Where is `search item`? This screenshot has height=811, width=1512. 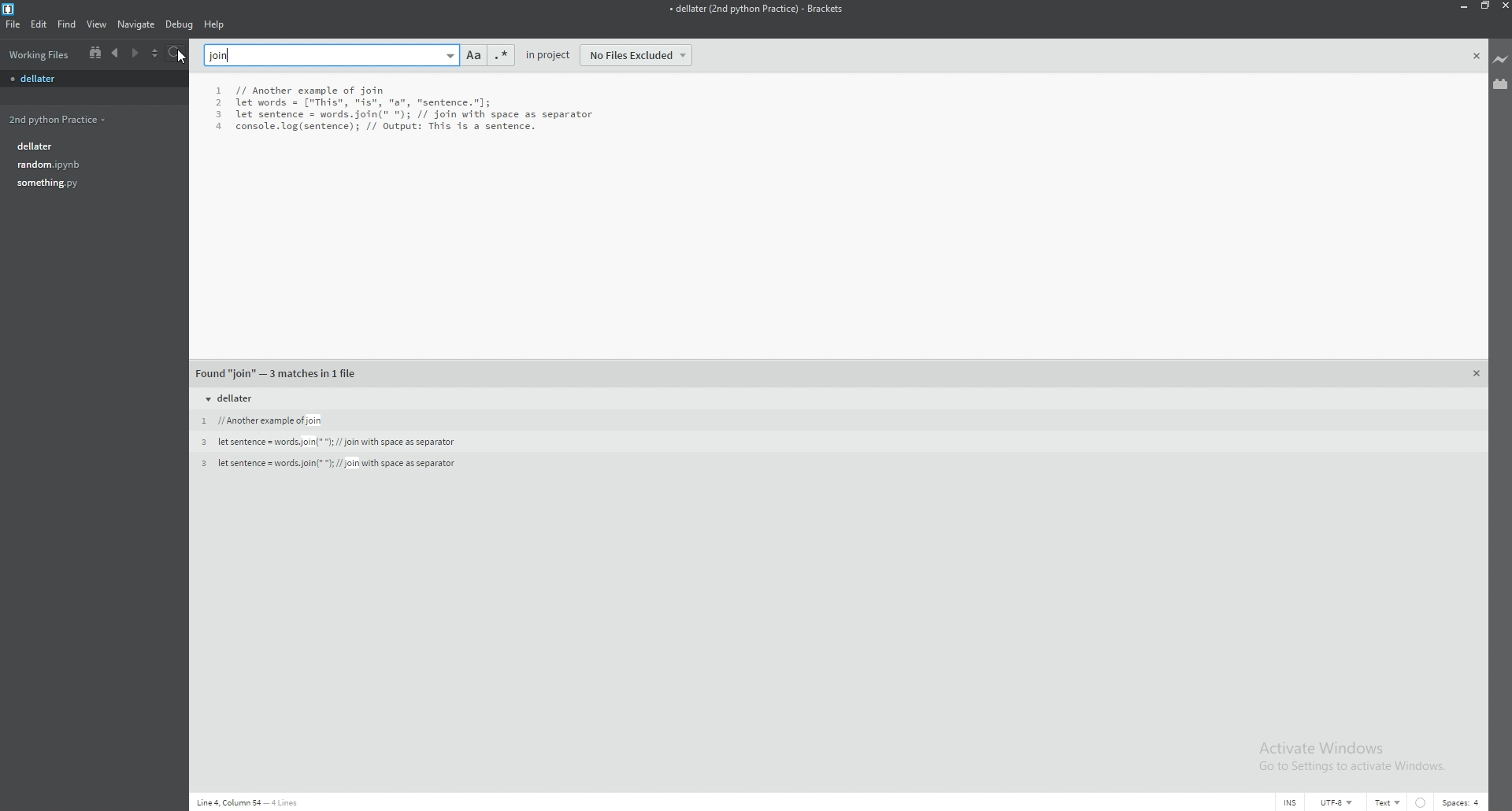 search item is located at coordinates (332, 54).